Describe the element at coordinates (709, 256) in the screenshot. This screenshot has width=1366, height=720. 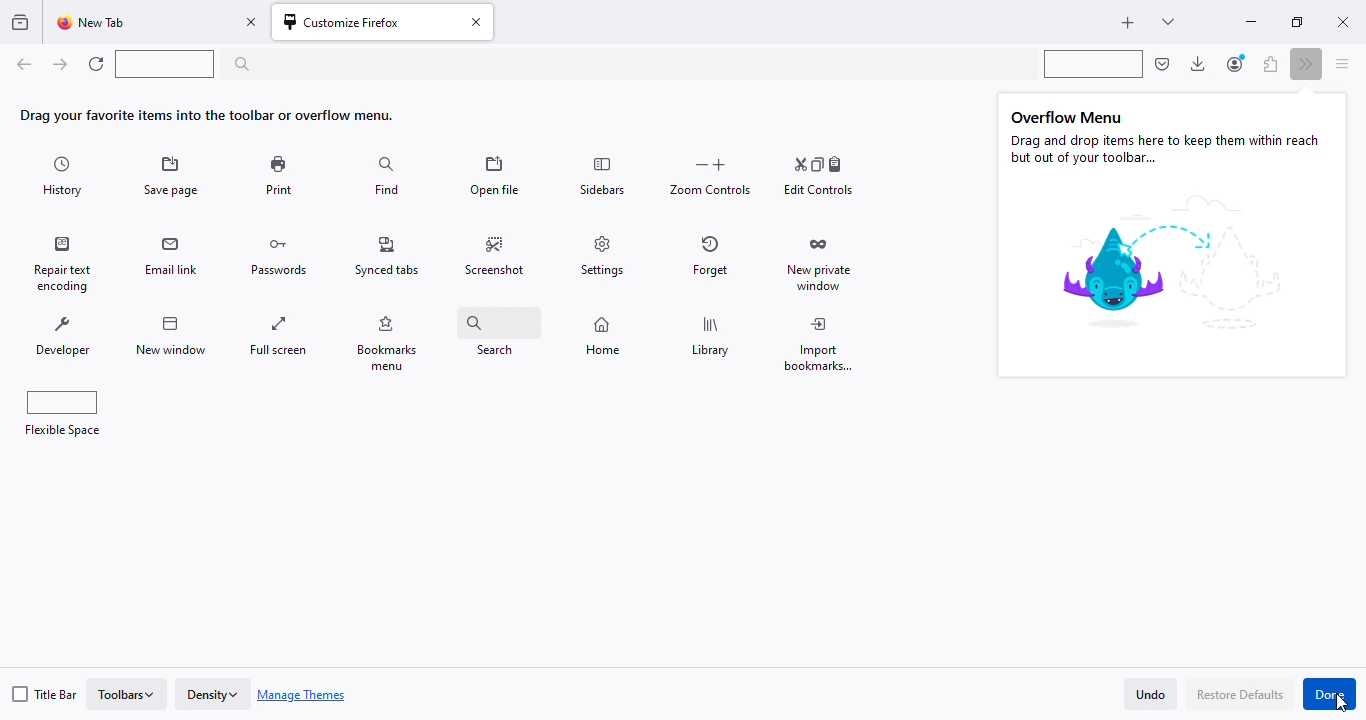
I see `forget` at that location.